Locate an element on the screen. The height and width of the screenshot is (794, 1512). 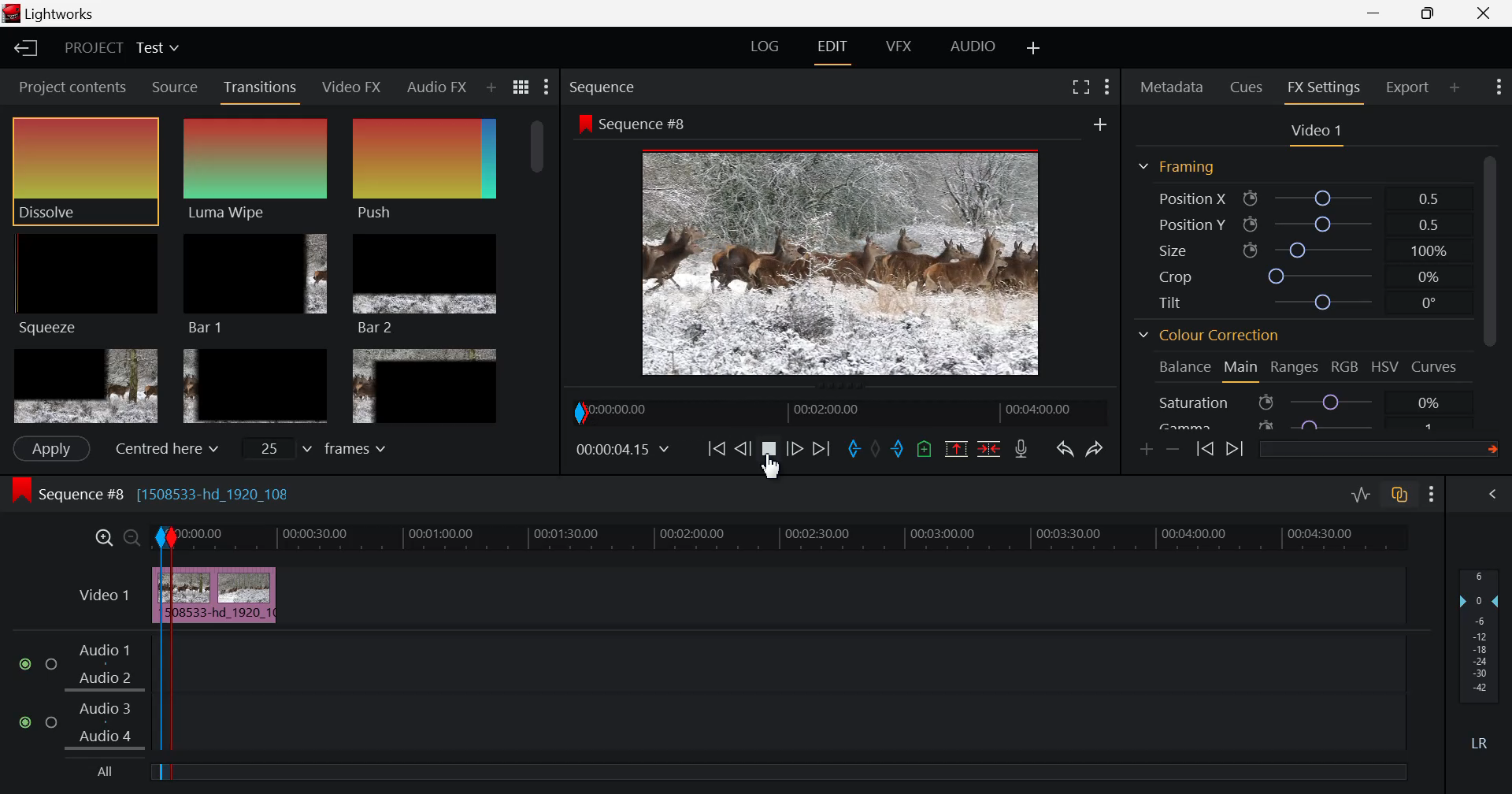
Video FX is located at coordinates (353, 86).